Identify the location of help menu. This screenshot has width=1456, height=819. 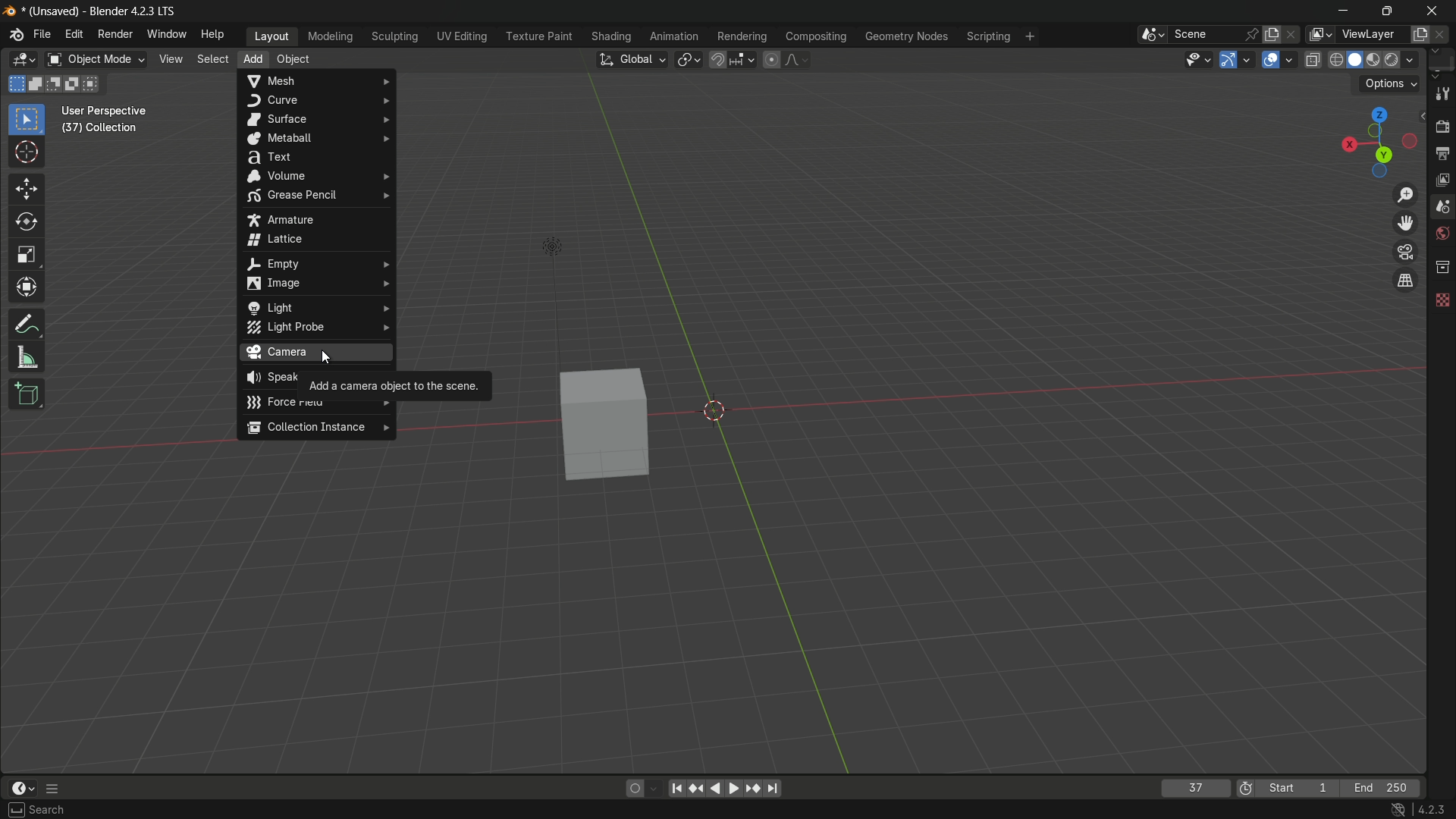
(212, 35).